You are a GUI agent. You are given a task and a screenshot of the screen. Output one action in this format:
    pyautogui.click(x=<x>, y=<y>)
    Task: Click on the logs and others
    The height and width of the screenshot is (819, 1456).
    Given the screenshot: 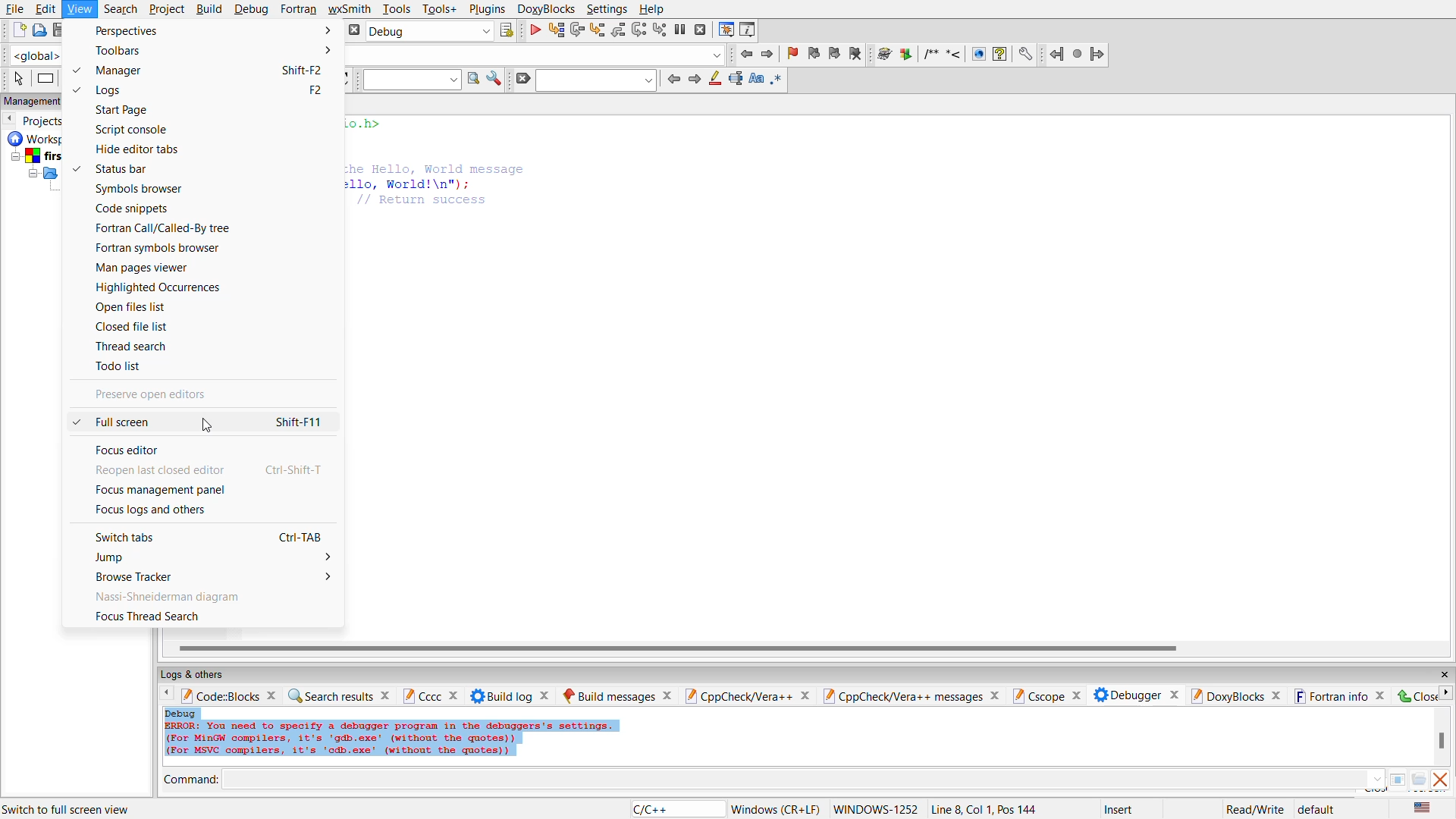 What is the action you would take?
    pyautogui.click(x=203, y=674)
    